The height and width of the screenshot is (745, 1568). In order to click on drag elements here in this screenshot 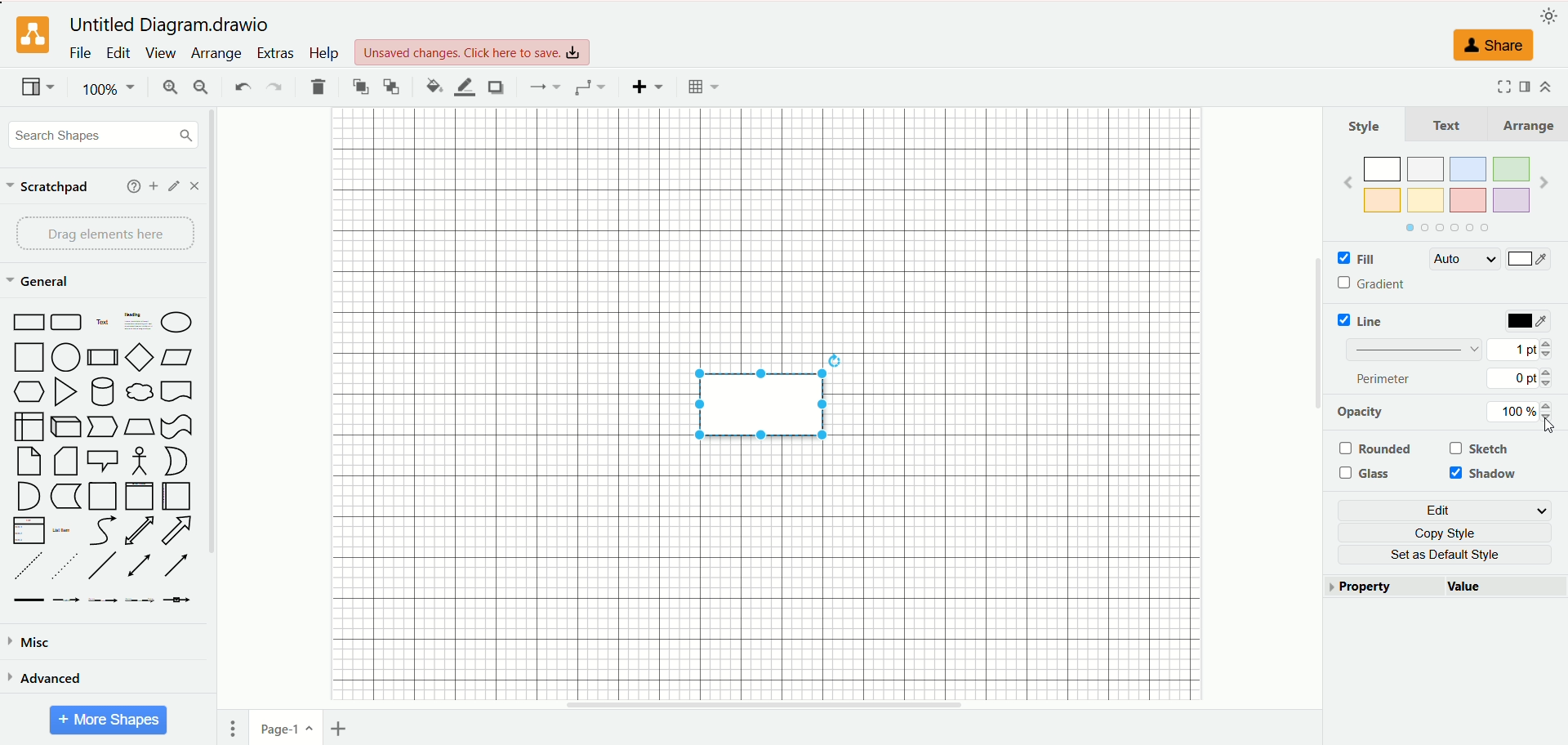, I will do `click(107, 234)`.